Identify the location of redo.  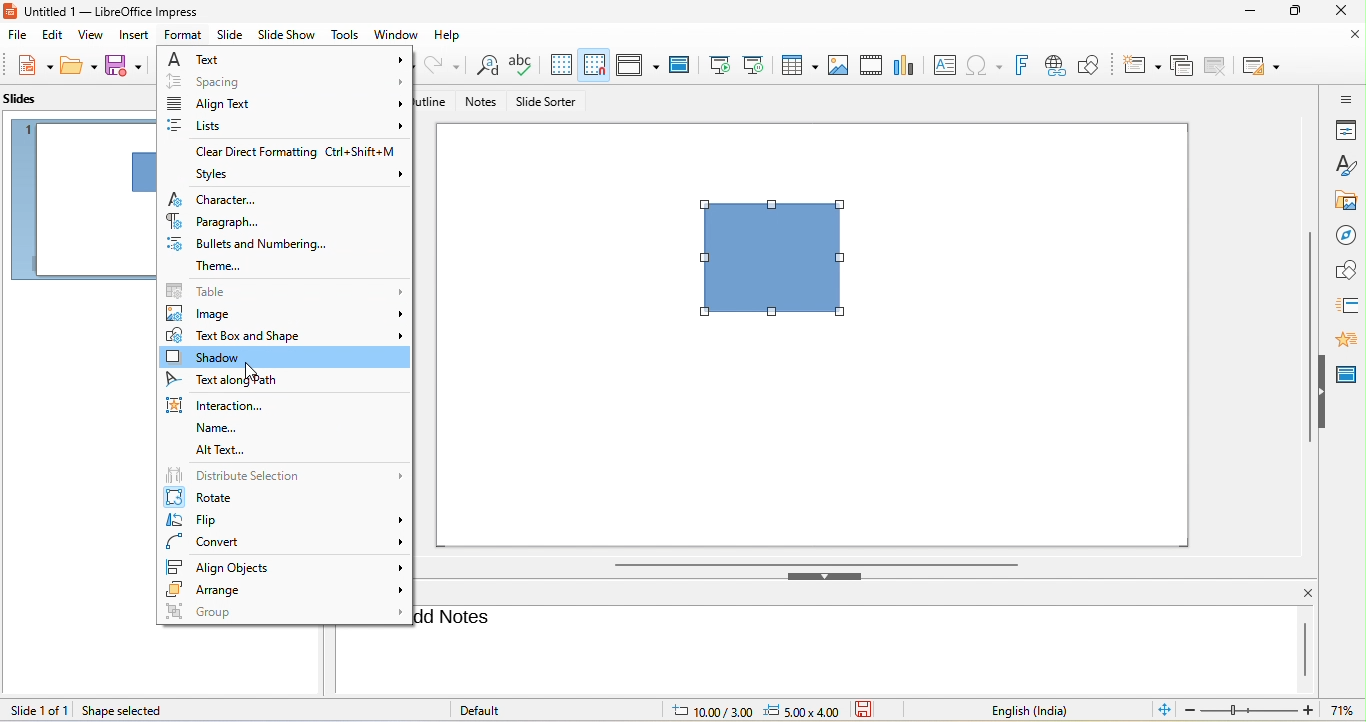
(444, 65).